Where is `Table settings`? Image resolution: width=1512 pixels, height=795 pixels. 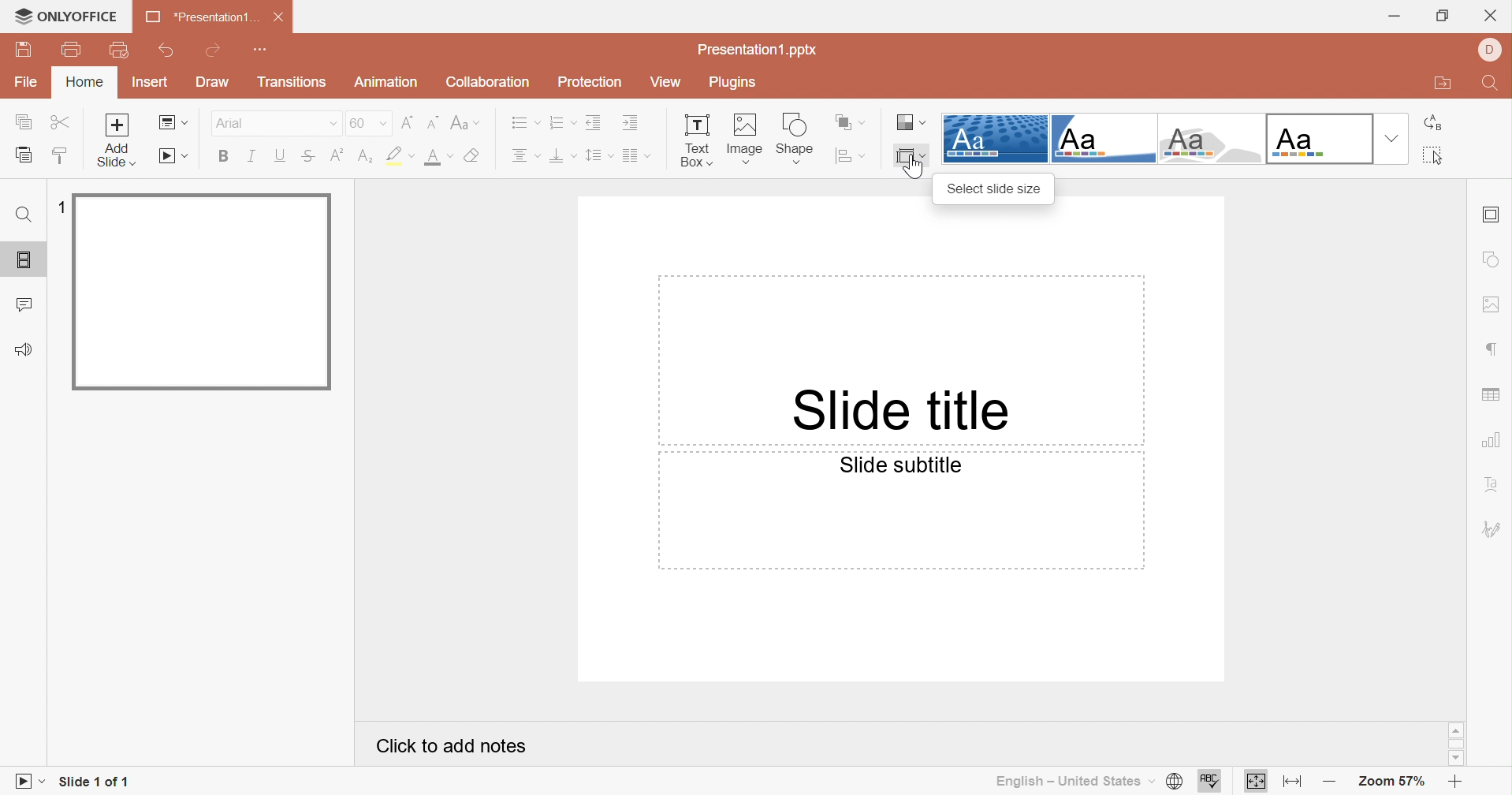 Table settings is located at coordinates (1492, 396).